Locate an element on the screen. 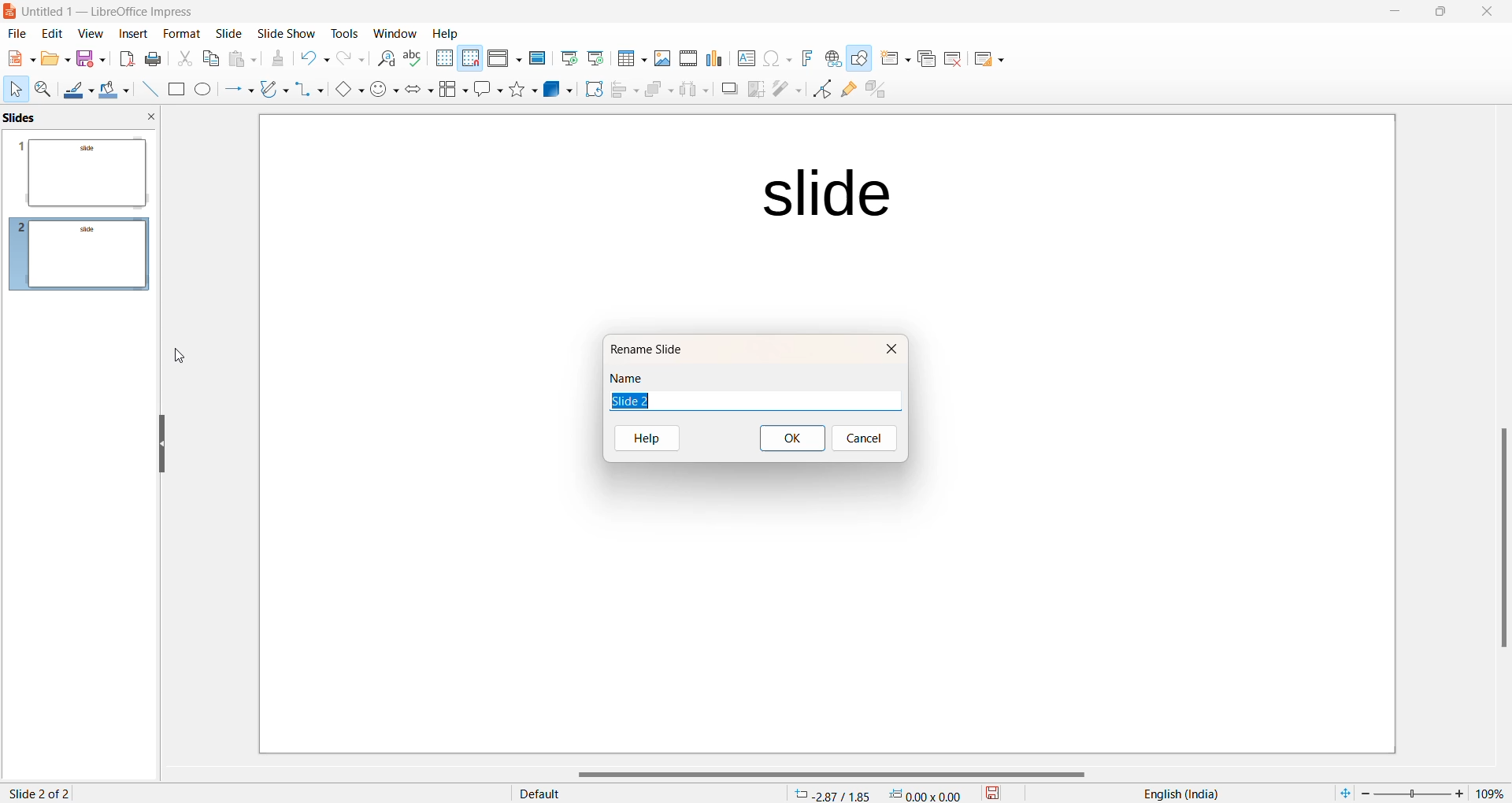 The width and height of the screenshot is (1512, 803). minimize is located at coordinates (1391, 13).